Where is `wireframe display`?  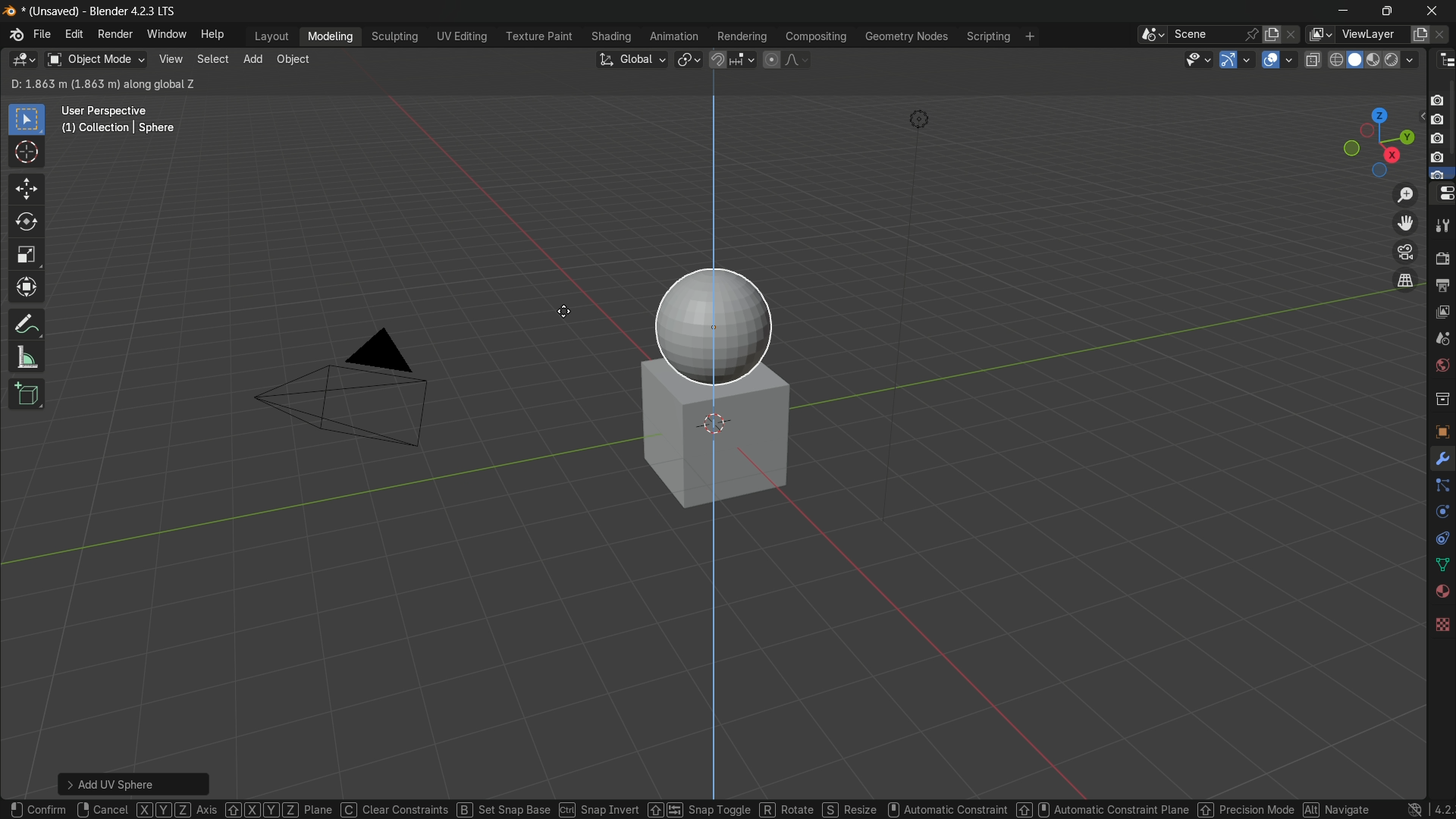 wireframe display is located at coordinates (1335, 60).